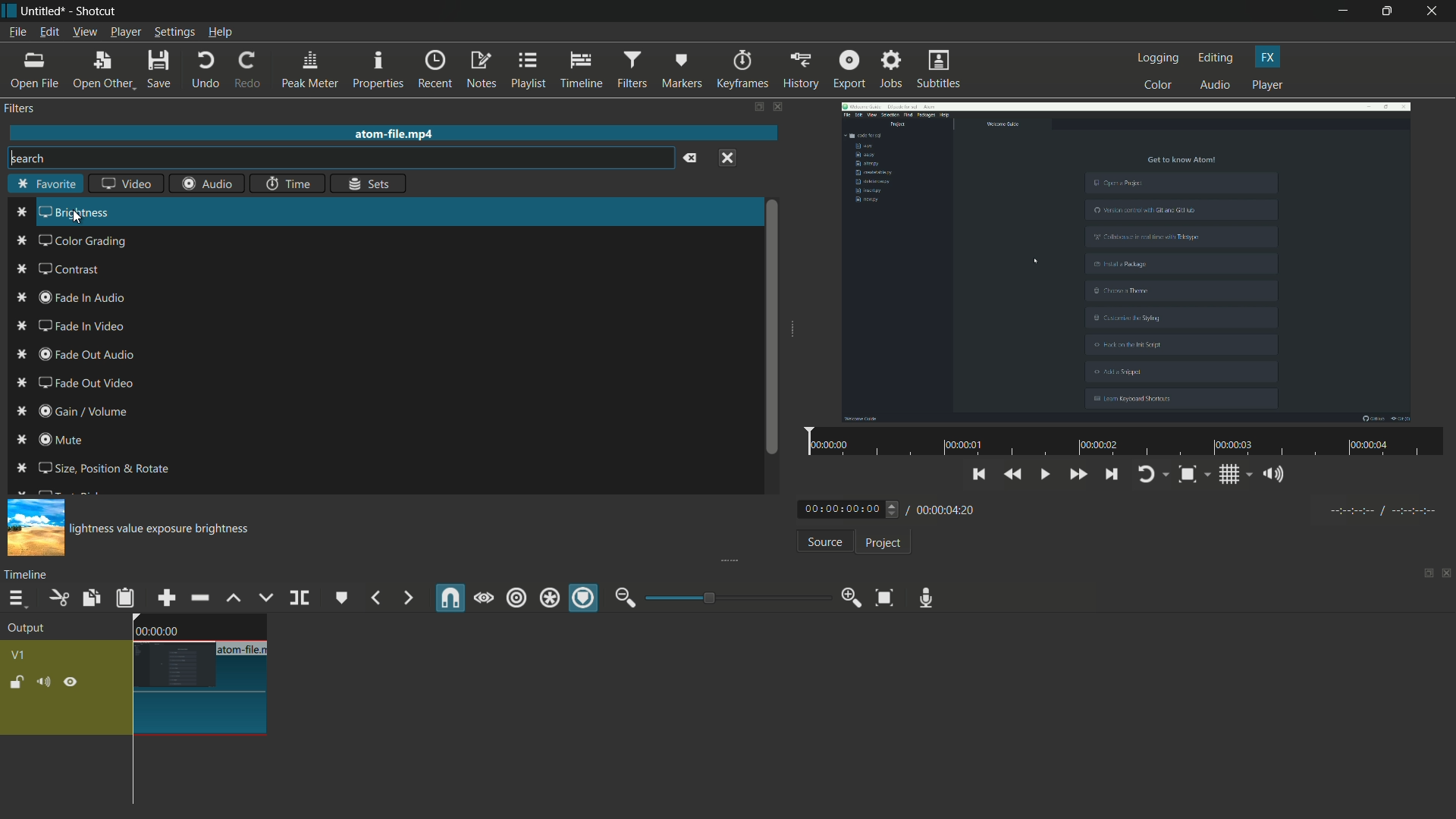  I want to click on clear search, so click(689, 158).